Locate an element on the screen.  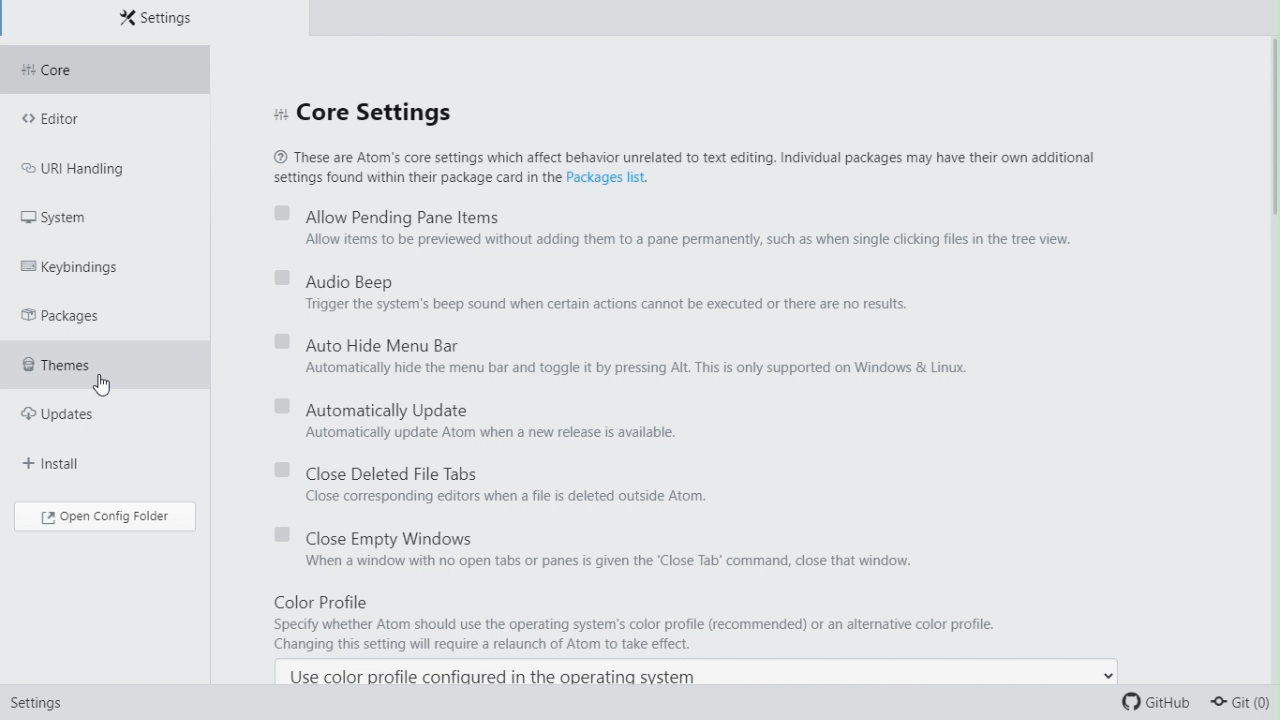
Settings is located at coordinates (31, 706).